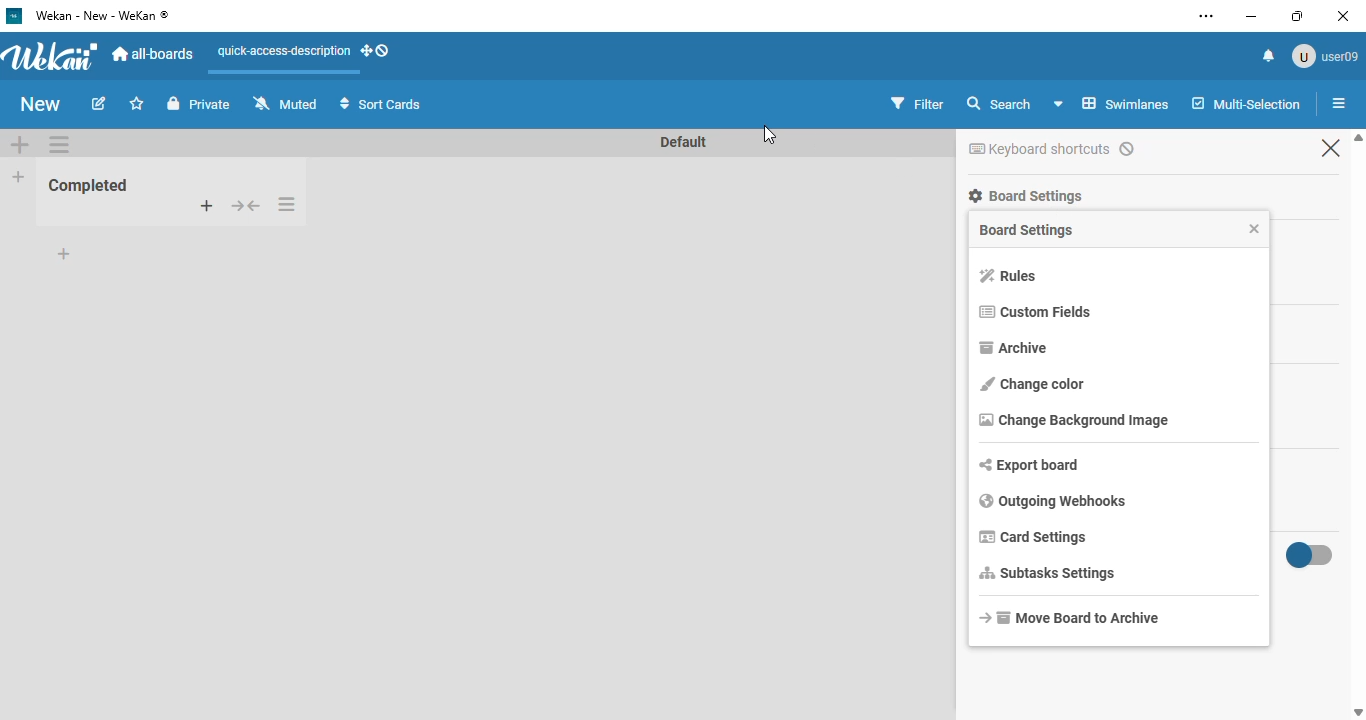  What do you see at coordinates (59, 144) in the screenshot?
I see `list actions` at bounding box center [59, 144].